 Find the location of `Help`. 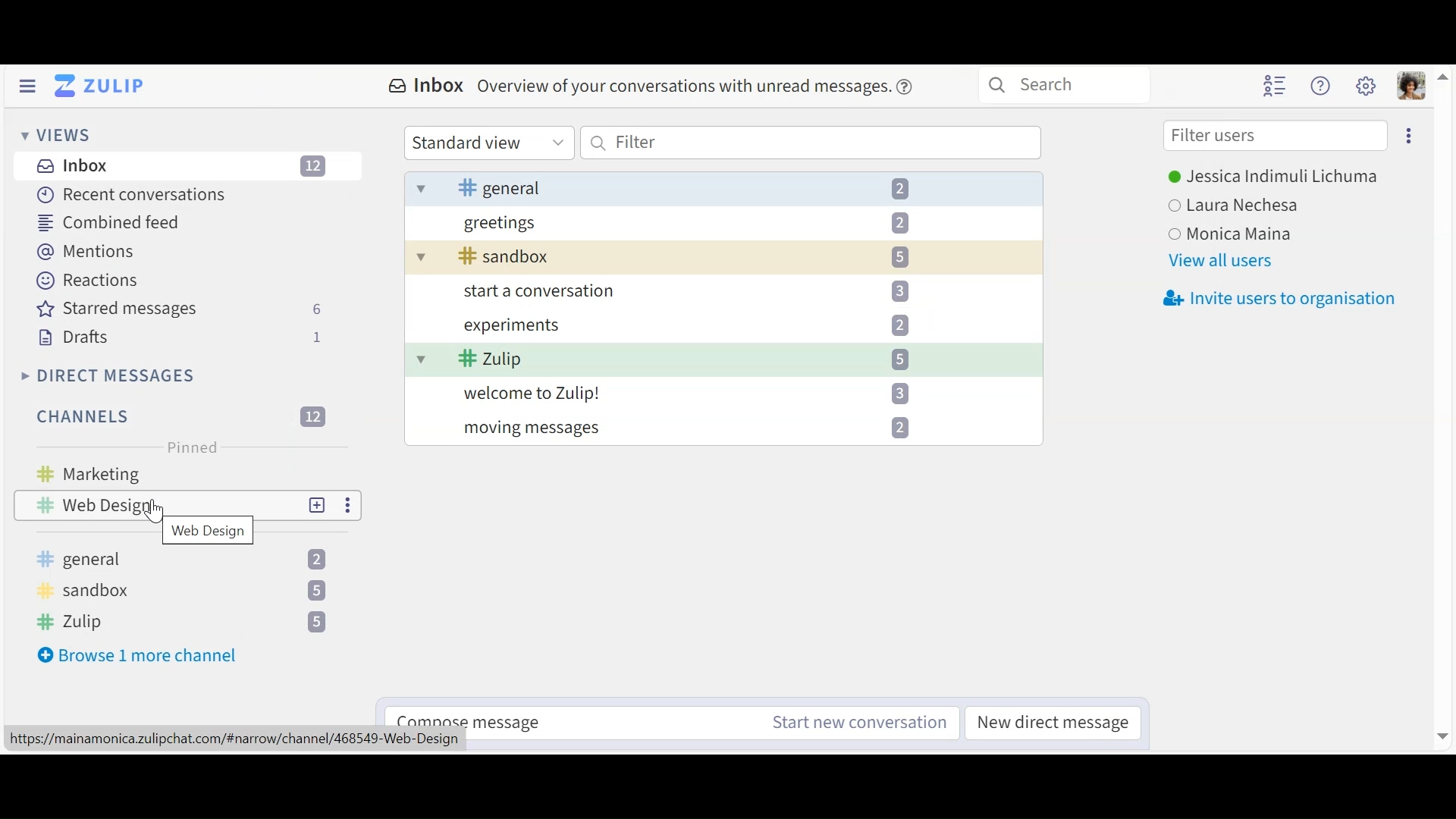

Help is located at coordinates (907, 86).